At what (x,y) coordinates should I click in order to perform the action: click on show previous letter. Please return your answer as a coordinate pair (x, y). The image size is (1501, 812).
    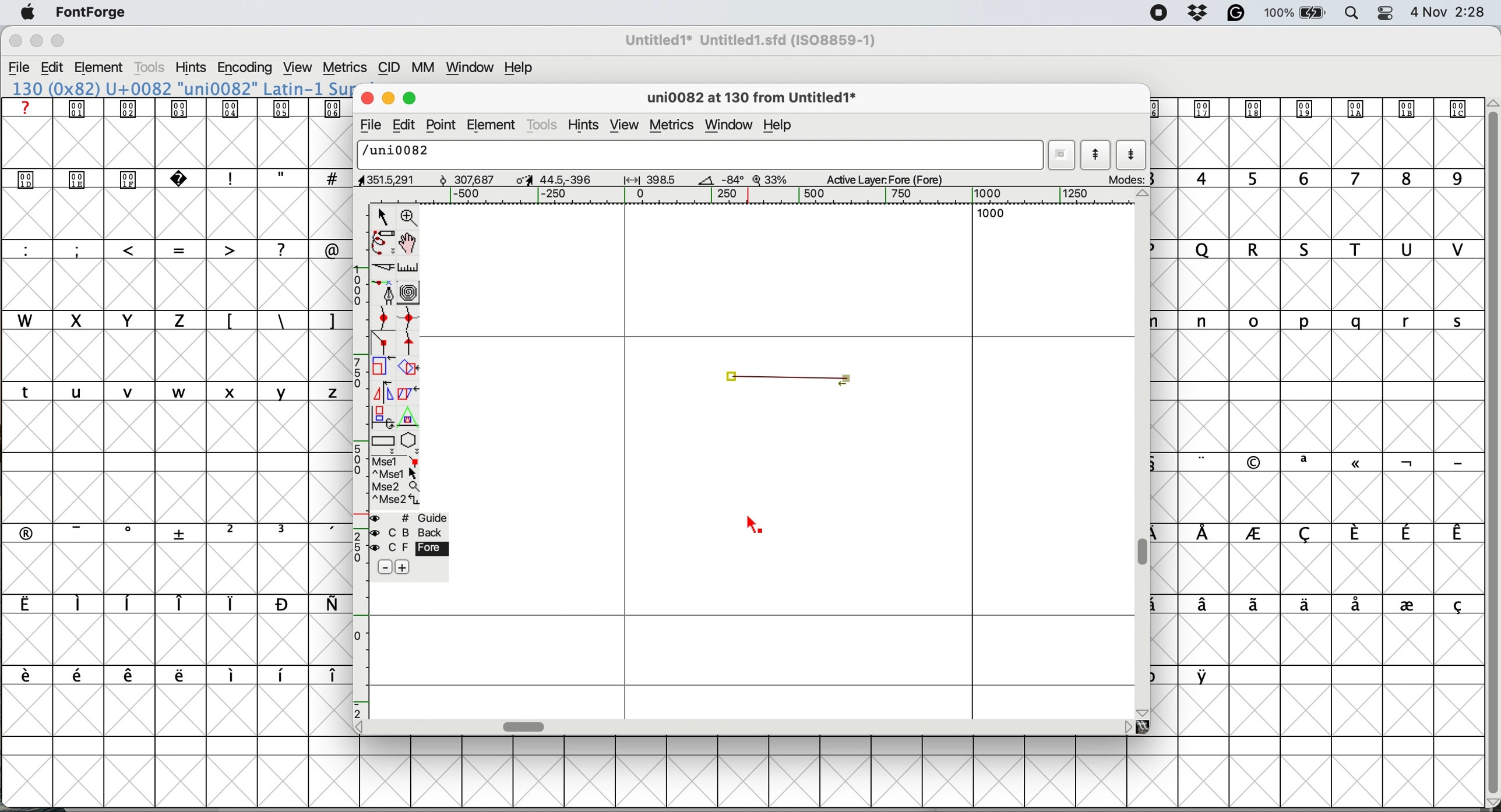
    Looking at the image, I should click on (1098, 154).